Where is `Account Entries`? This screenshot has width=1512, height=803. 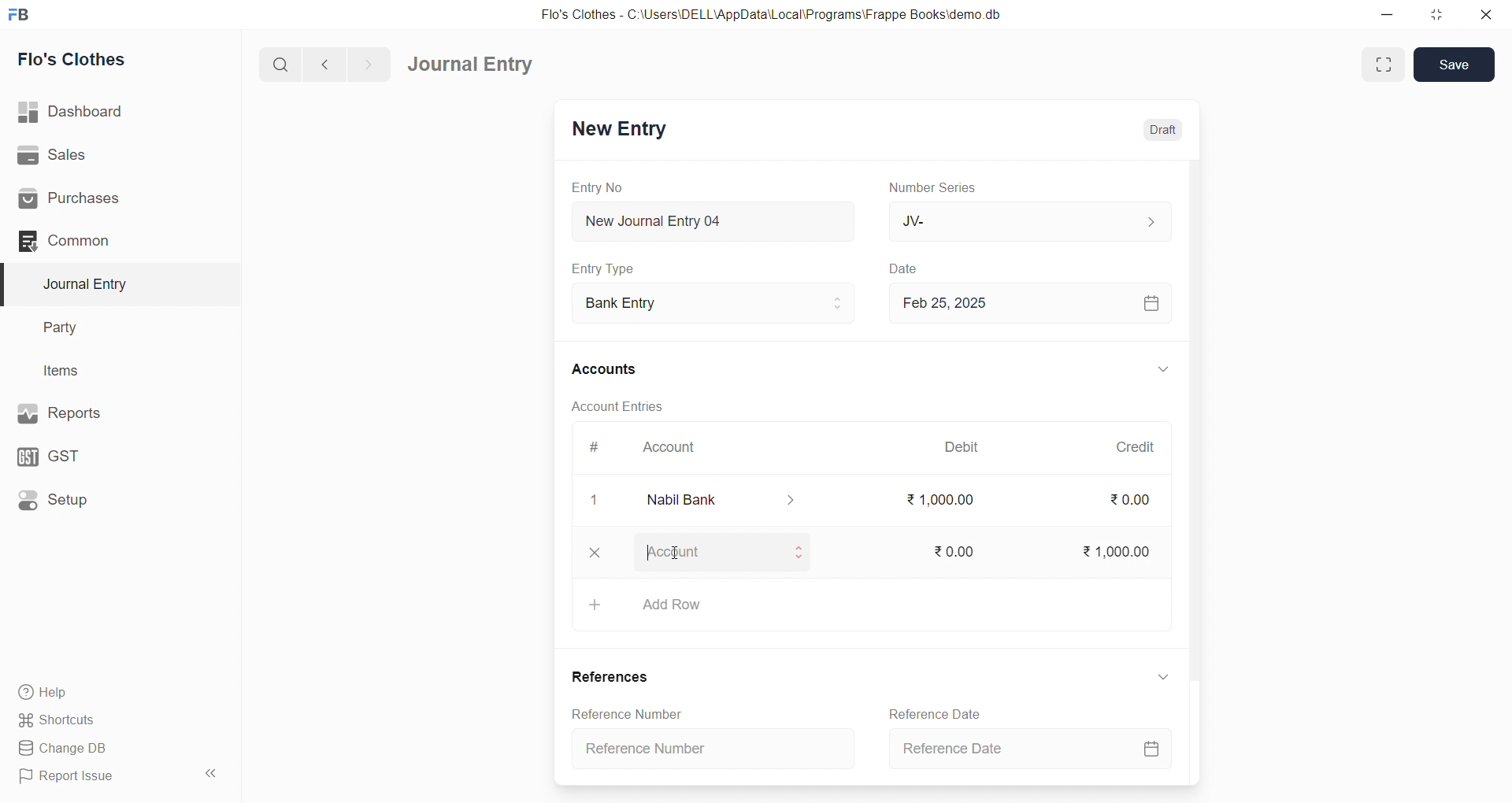 Account Entries is located at coordinates (616, 405).